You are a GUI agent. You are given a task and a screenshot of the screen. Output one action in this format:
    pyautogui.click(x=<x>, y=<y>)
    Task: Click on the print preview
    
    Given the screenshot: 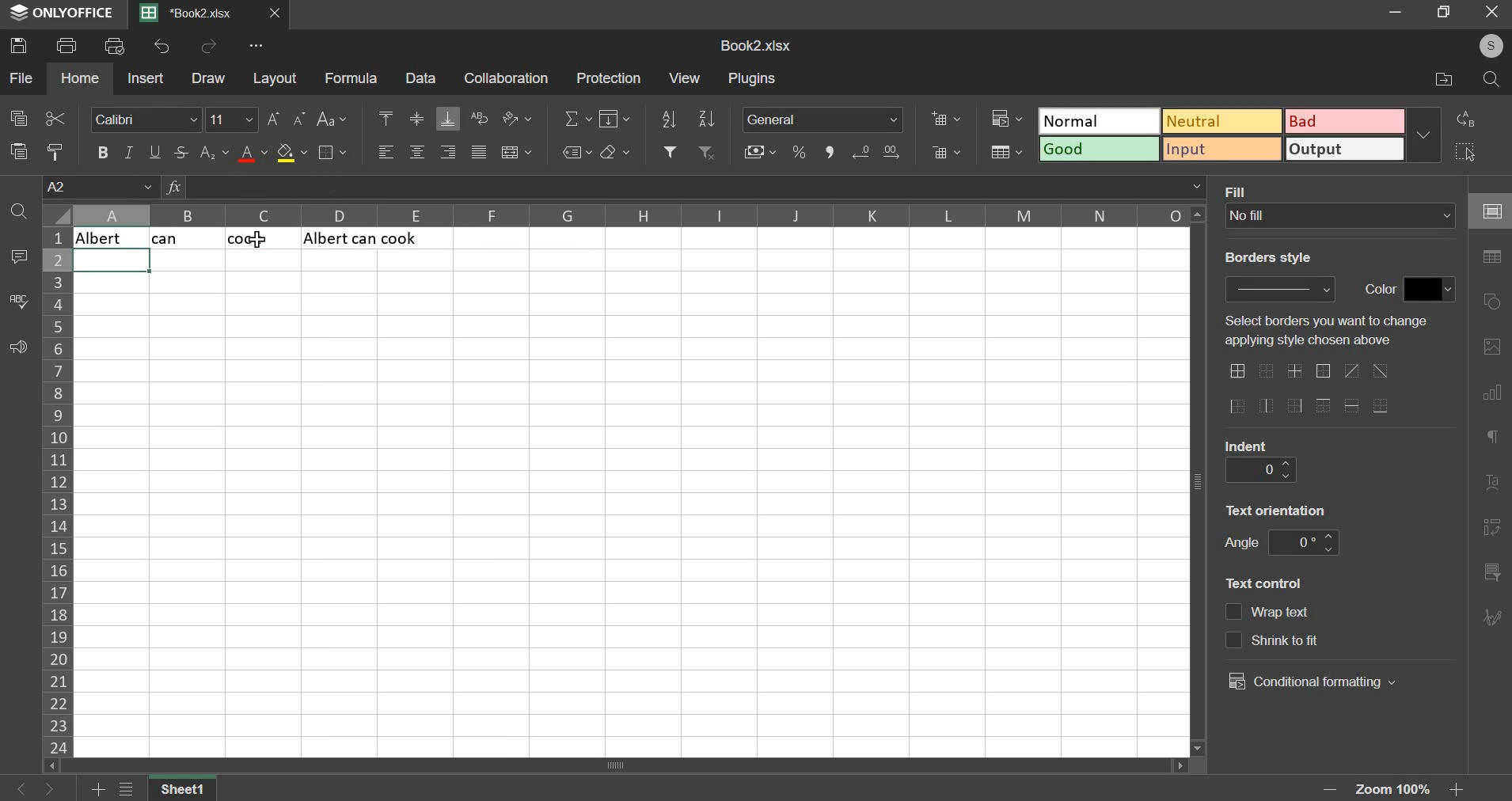 What is the action you would take?
    pyautogui.click(x=116, y=46)
    